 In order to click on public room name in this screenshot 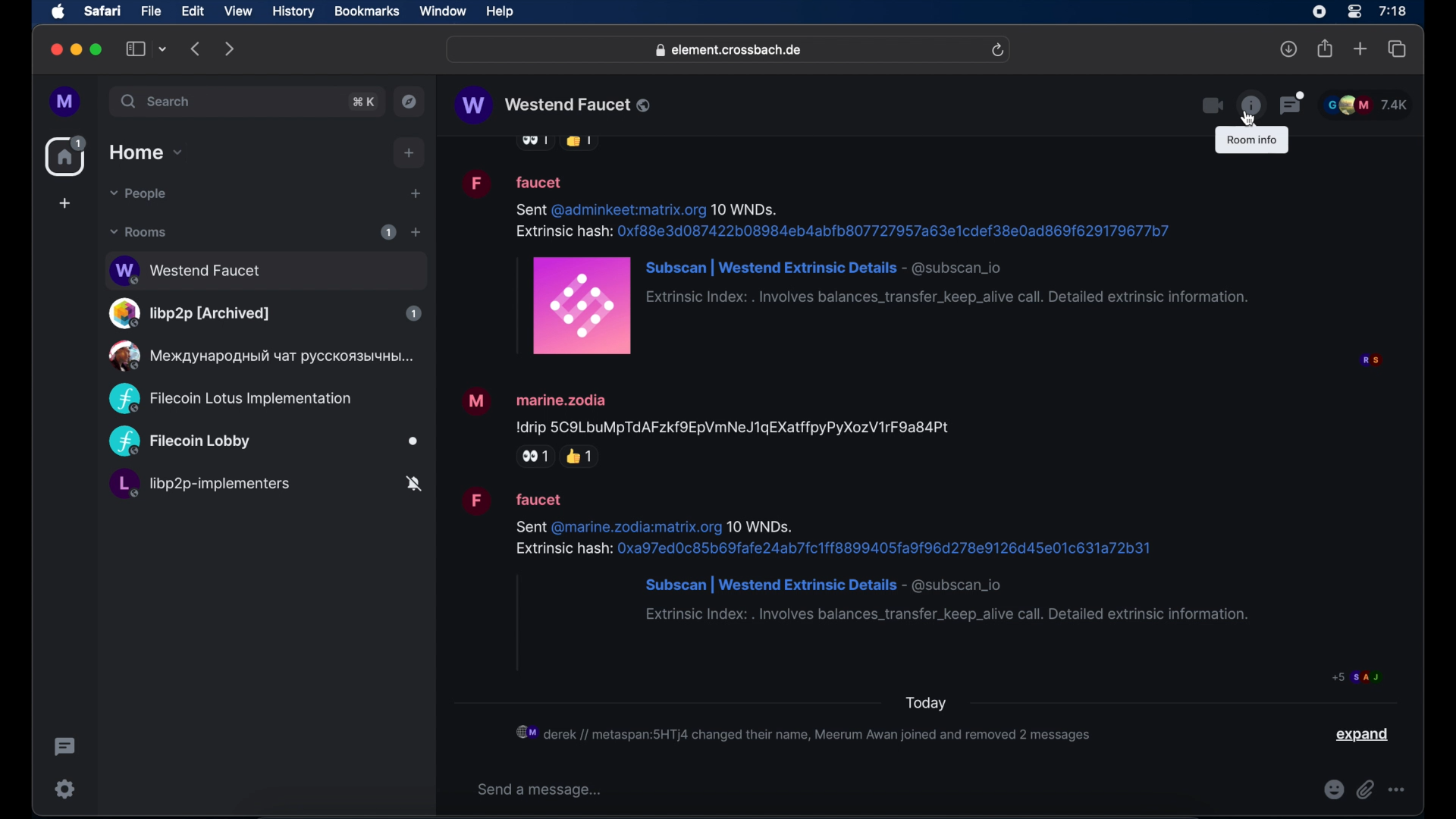, I will do `click(554, 105)`.